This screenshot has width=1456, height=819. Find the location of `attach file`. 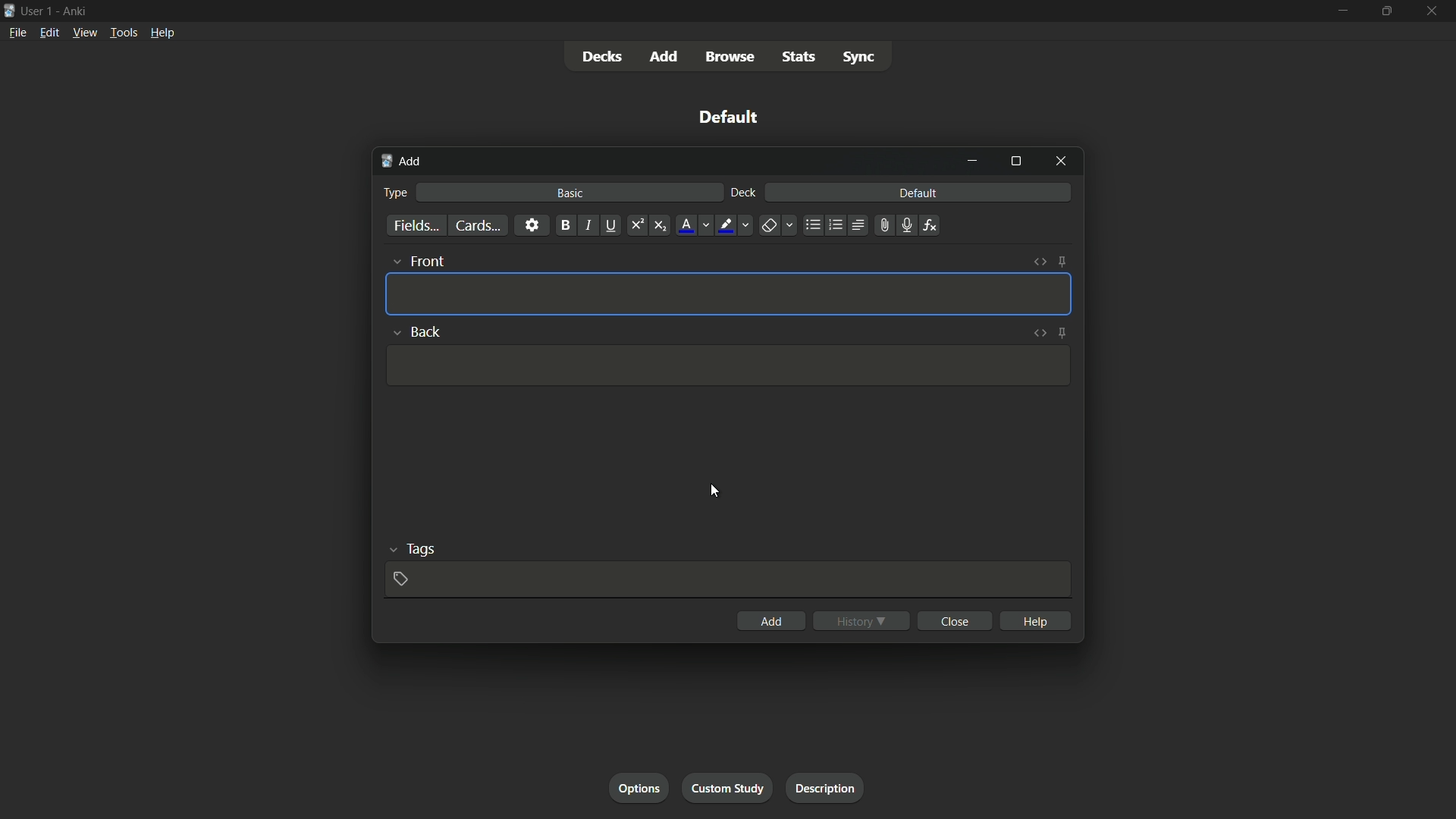

attach file is located at coordinates (885, 225).